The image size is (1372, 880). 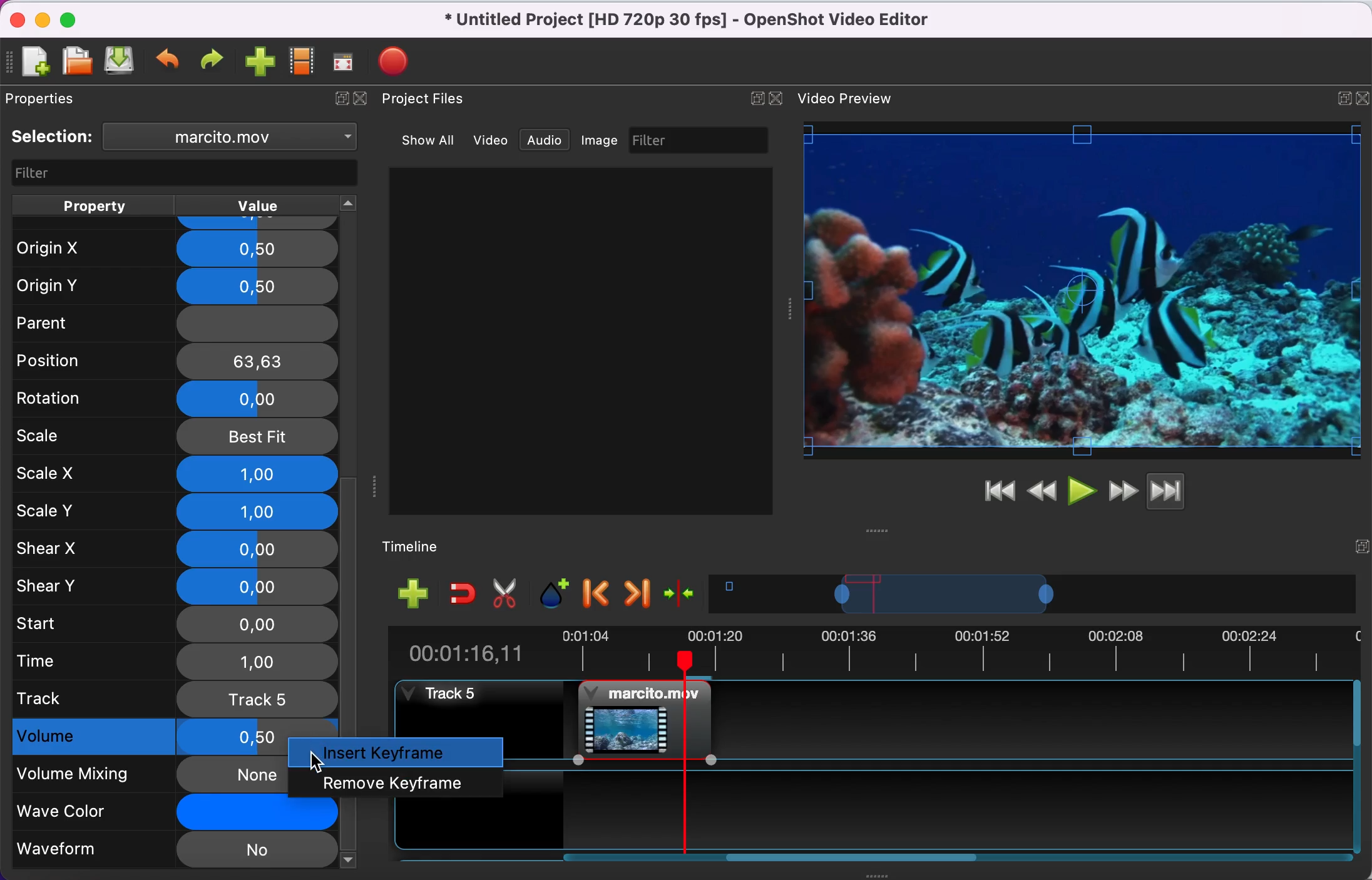 I want to click on fast forward, so click(x=1122, y=489).